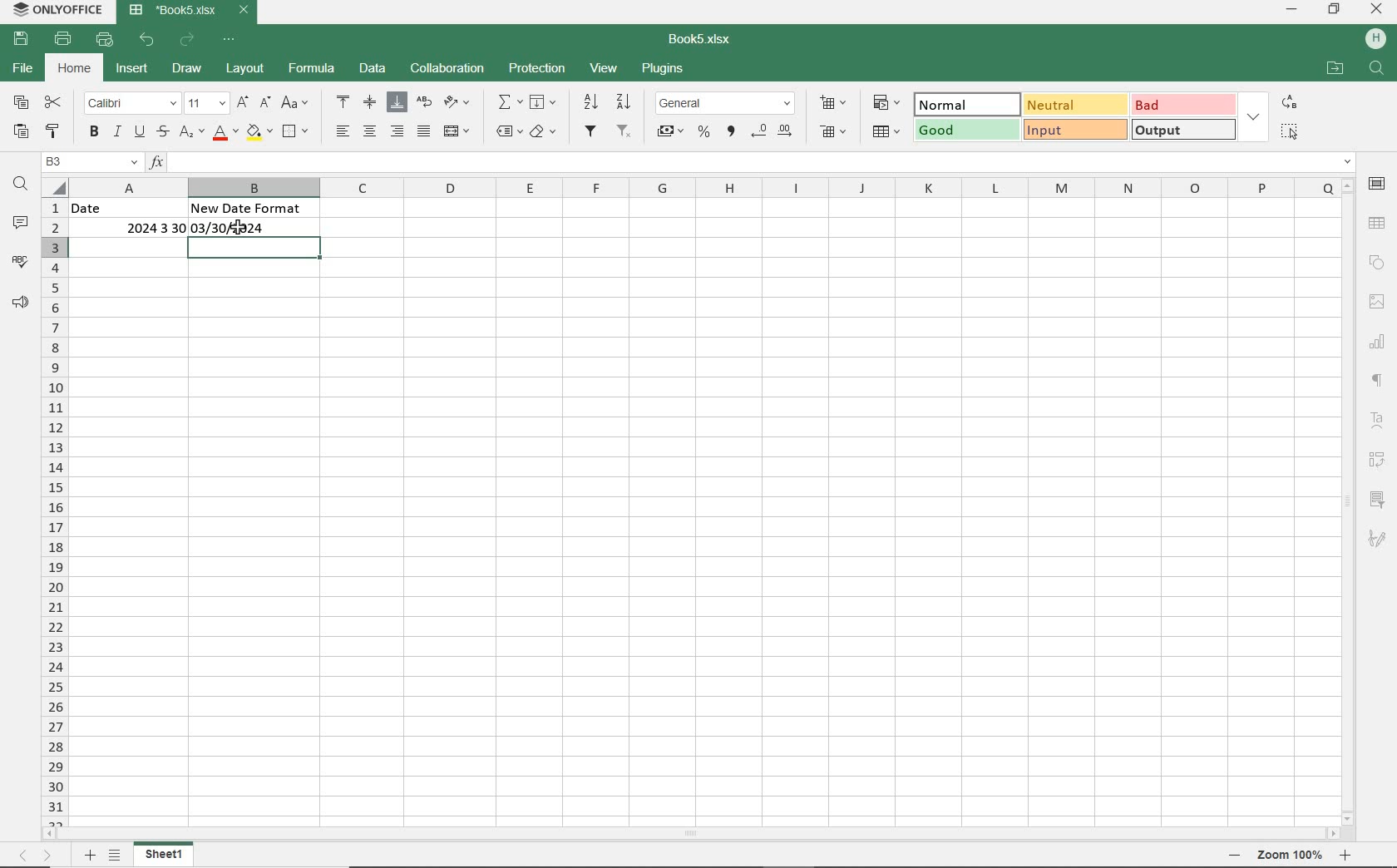  I want to click on JUSTIFIED, so click(425, 131).